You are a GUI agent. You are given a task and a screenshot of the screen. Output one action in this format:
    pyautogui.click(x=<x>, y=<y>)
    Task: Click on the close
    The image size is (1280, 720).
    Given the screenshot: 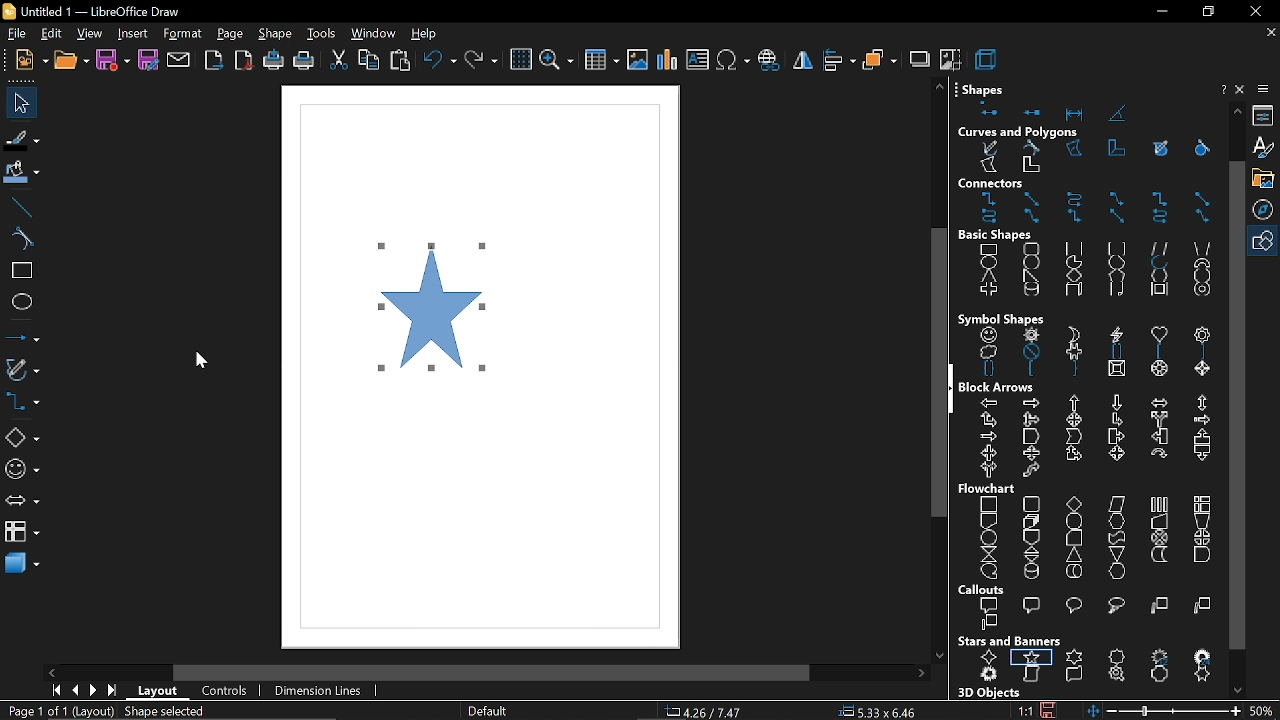 What is the action you would take?
    pyautogui.click(x=1255, y=11)
    